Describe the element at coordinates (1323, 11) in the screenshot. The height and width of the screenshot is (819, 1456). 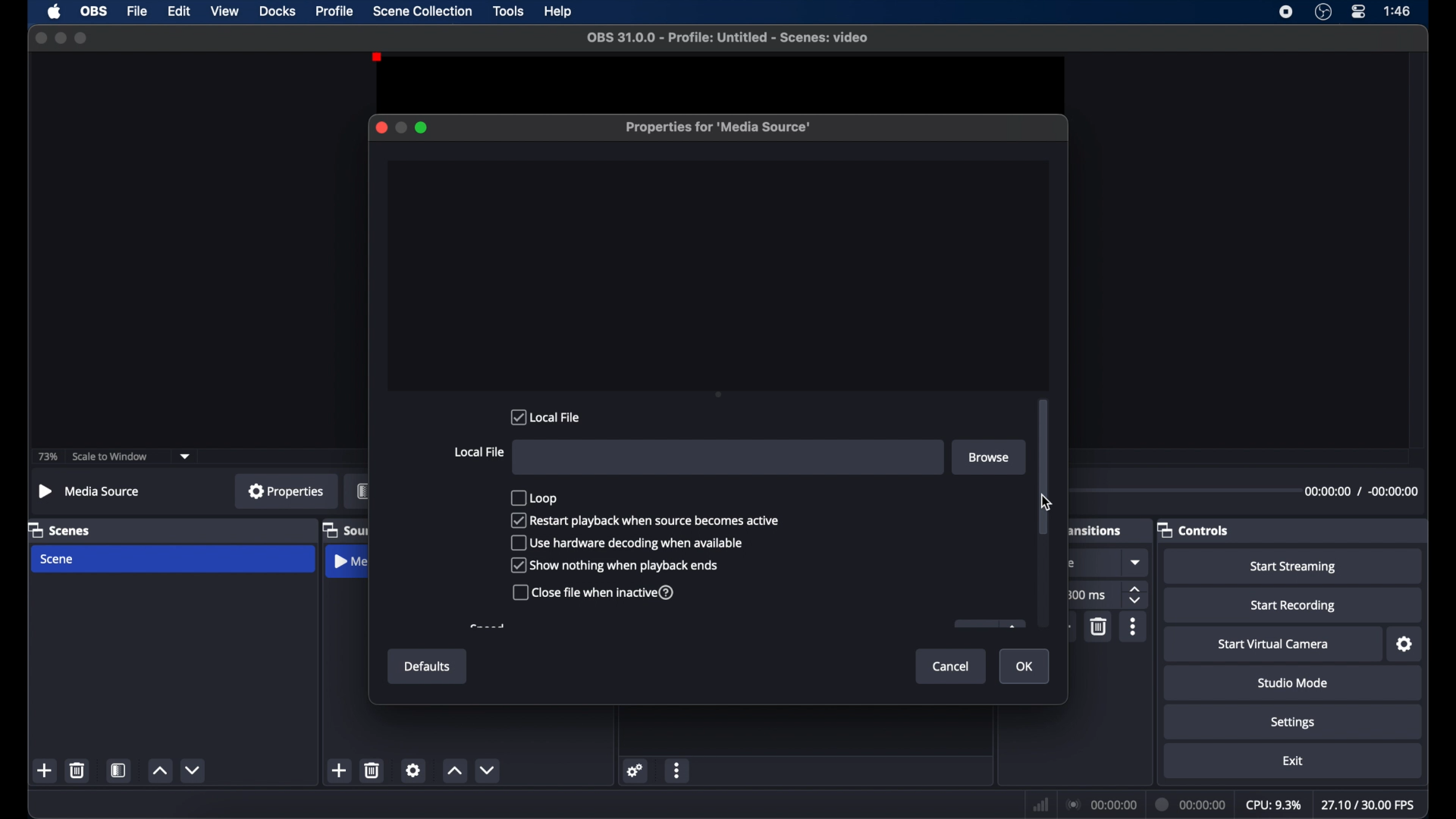
I see `obs studio` at that location.